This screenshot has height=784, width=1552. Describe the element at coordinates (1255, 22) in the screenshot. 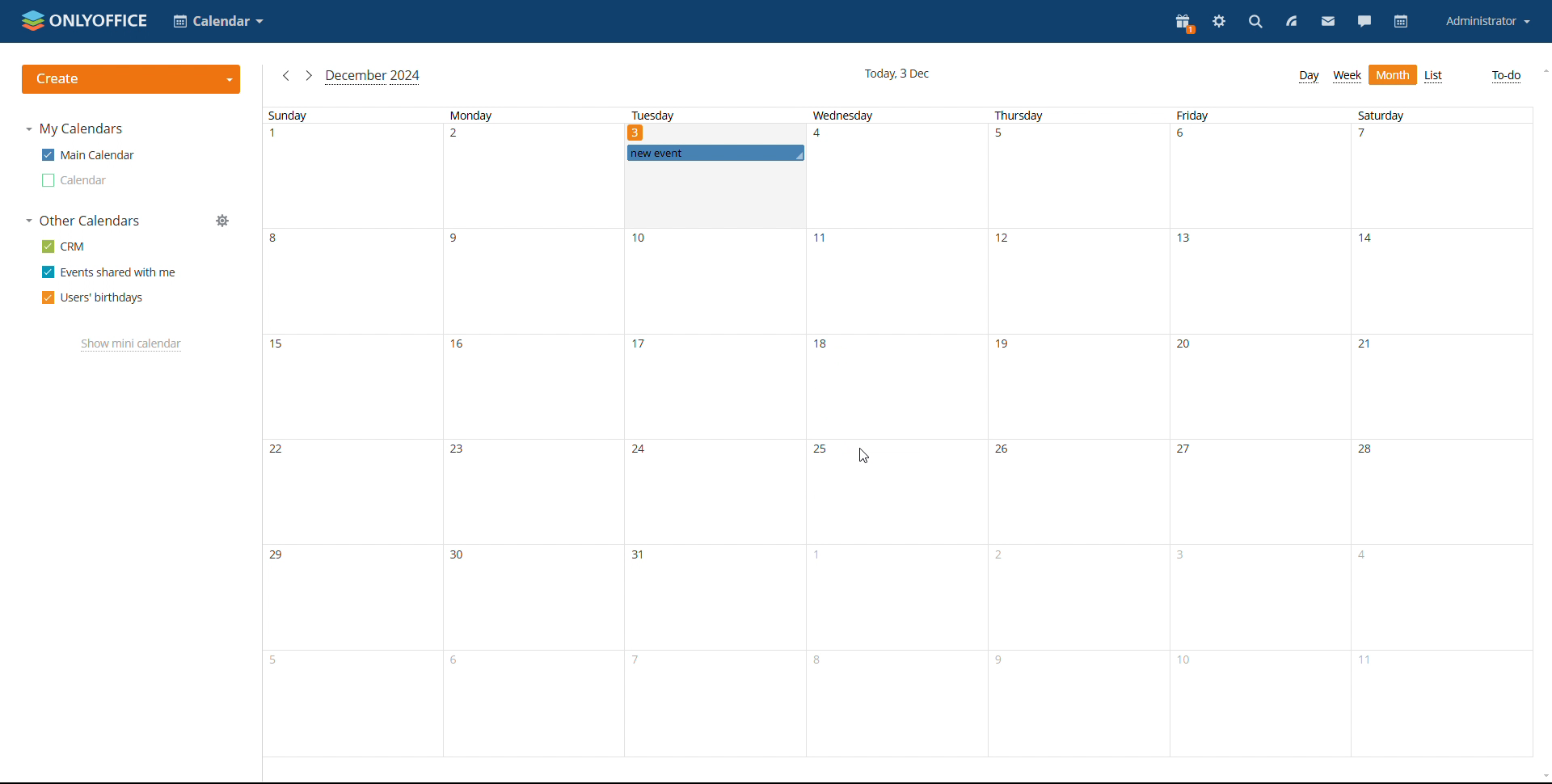

I see `search` at that location.